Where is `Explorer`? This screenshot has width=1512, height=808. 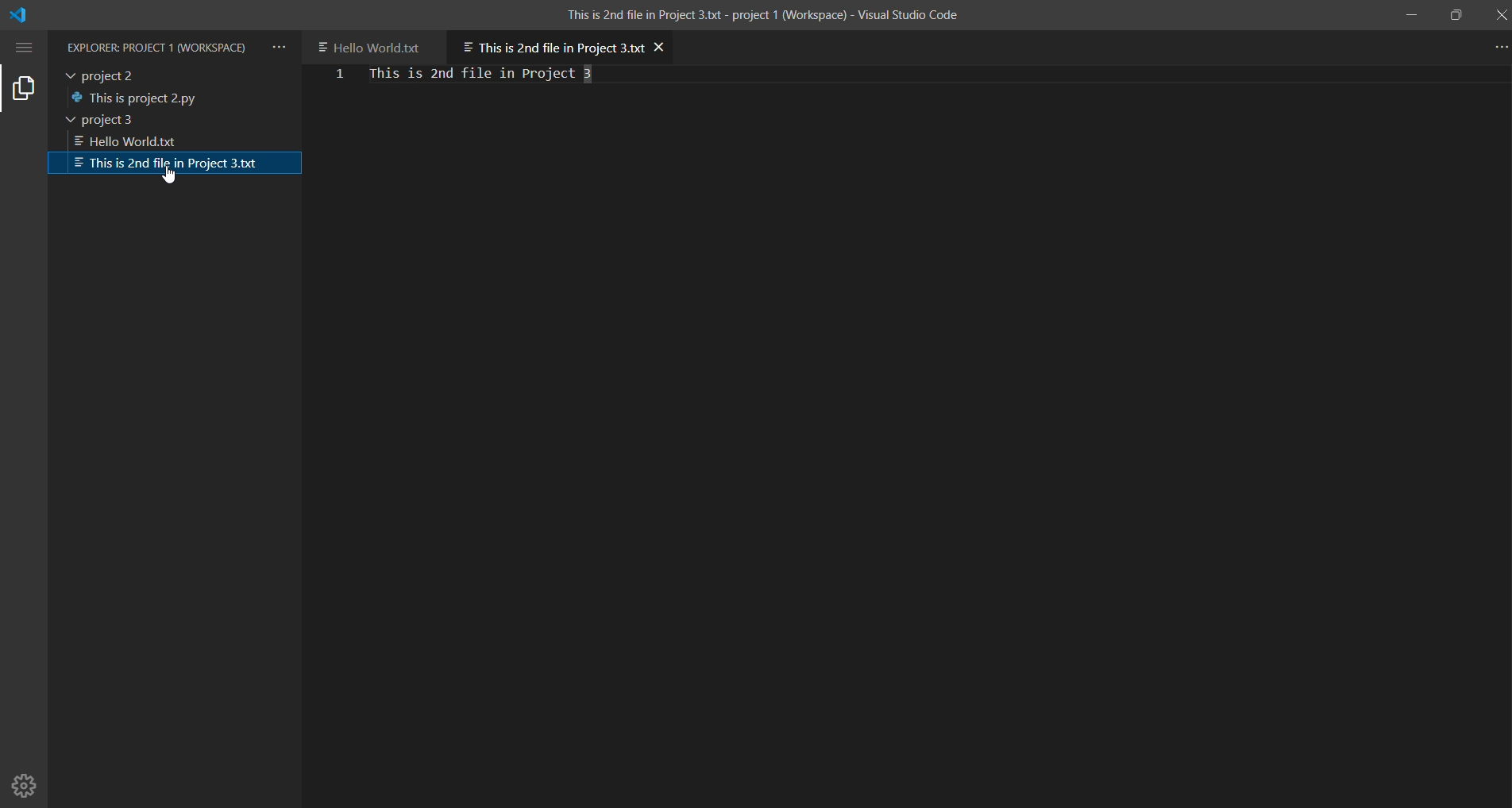 Explorer is located at coordinates (158, 48).